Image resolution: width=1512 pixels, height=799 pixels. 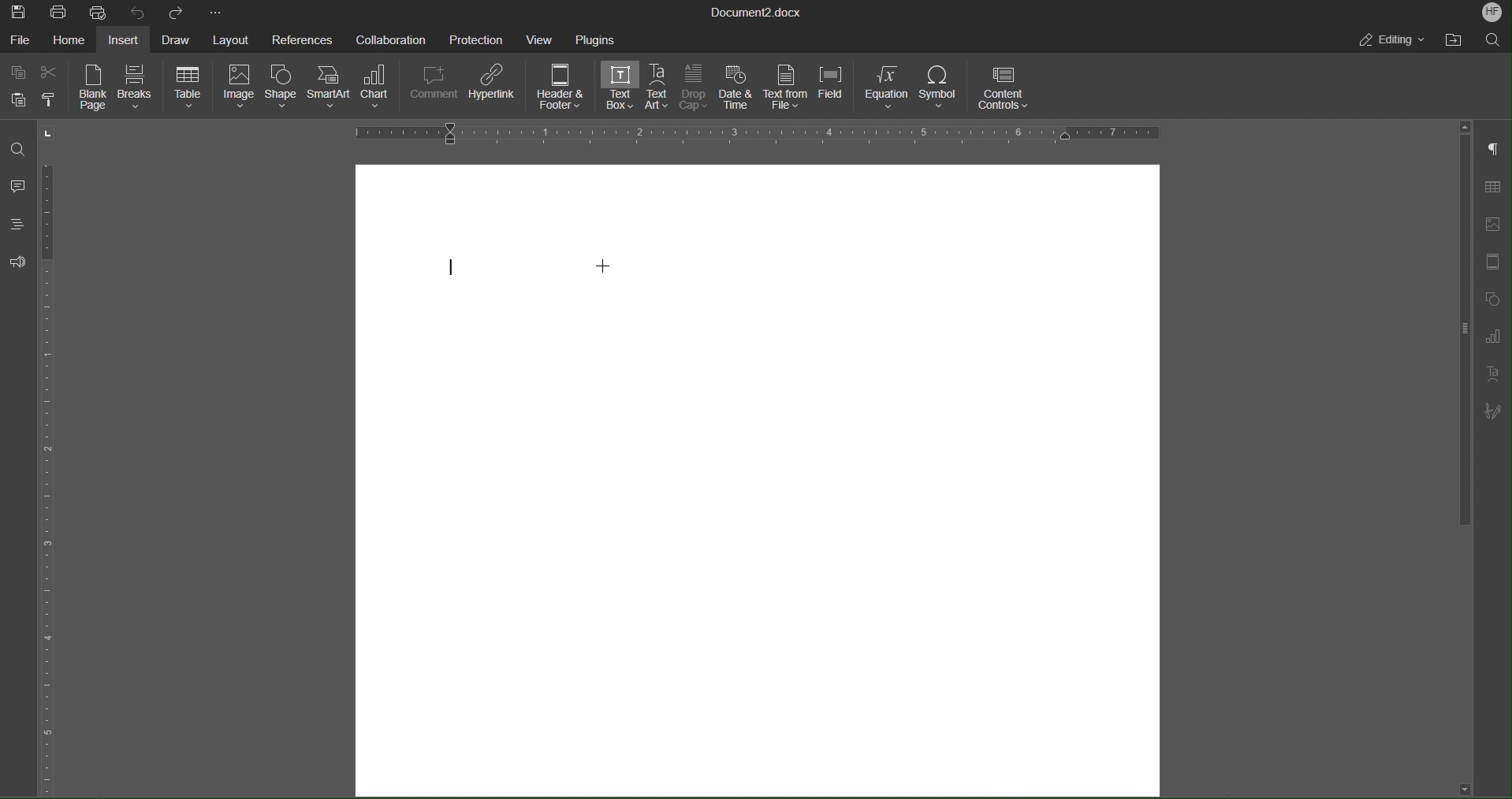 What do you see at coordinates (562, 89) in the screenshot?
I see `Header & Footer` at bounding box center [562, 89].